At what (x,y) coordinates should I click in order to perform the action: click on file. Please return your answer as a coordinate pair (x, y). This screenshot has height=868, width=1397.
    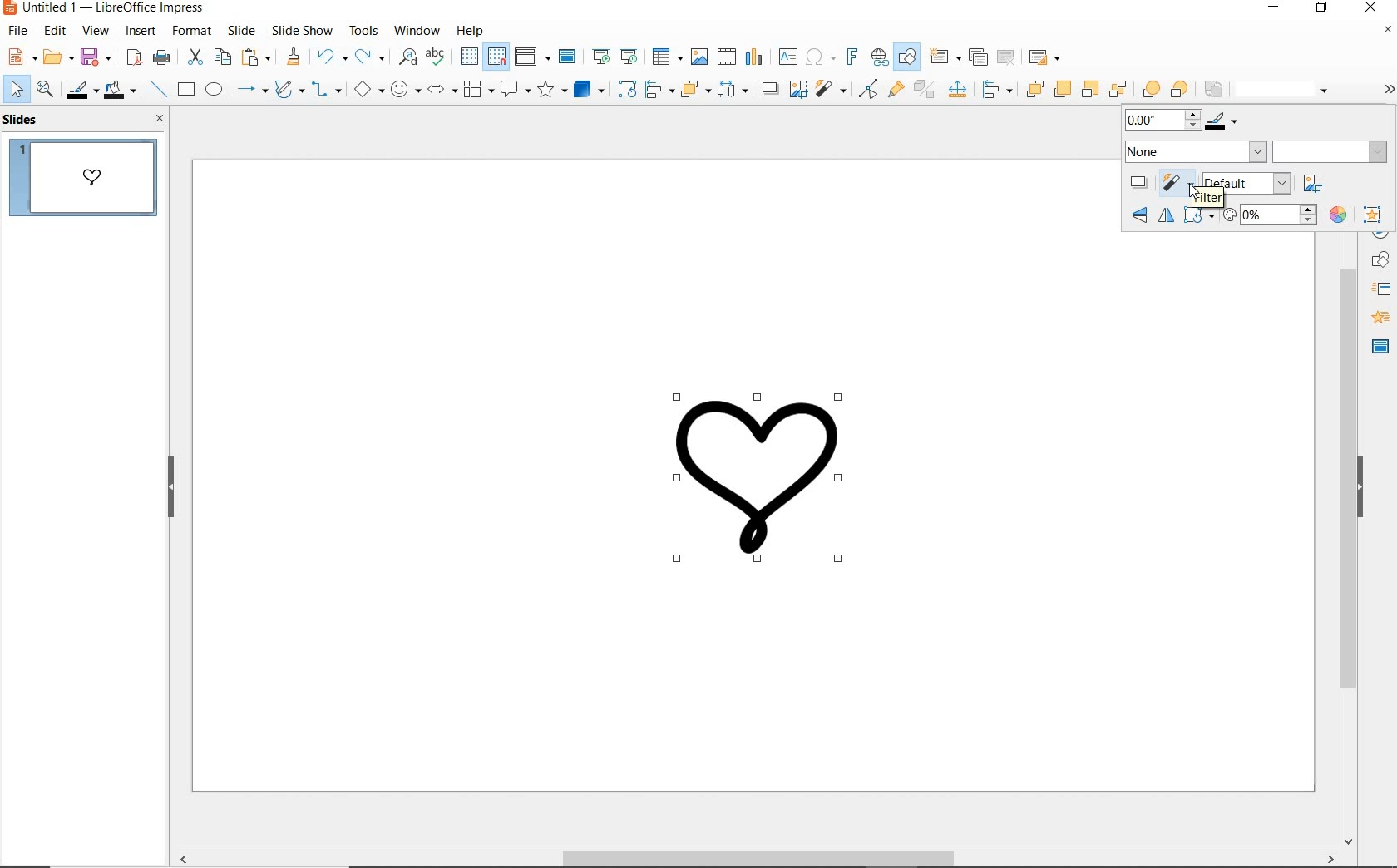
    Looking at the image, I should click on (17, 32).